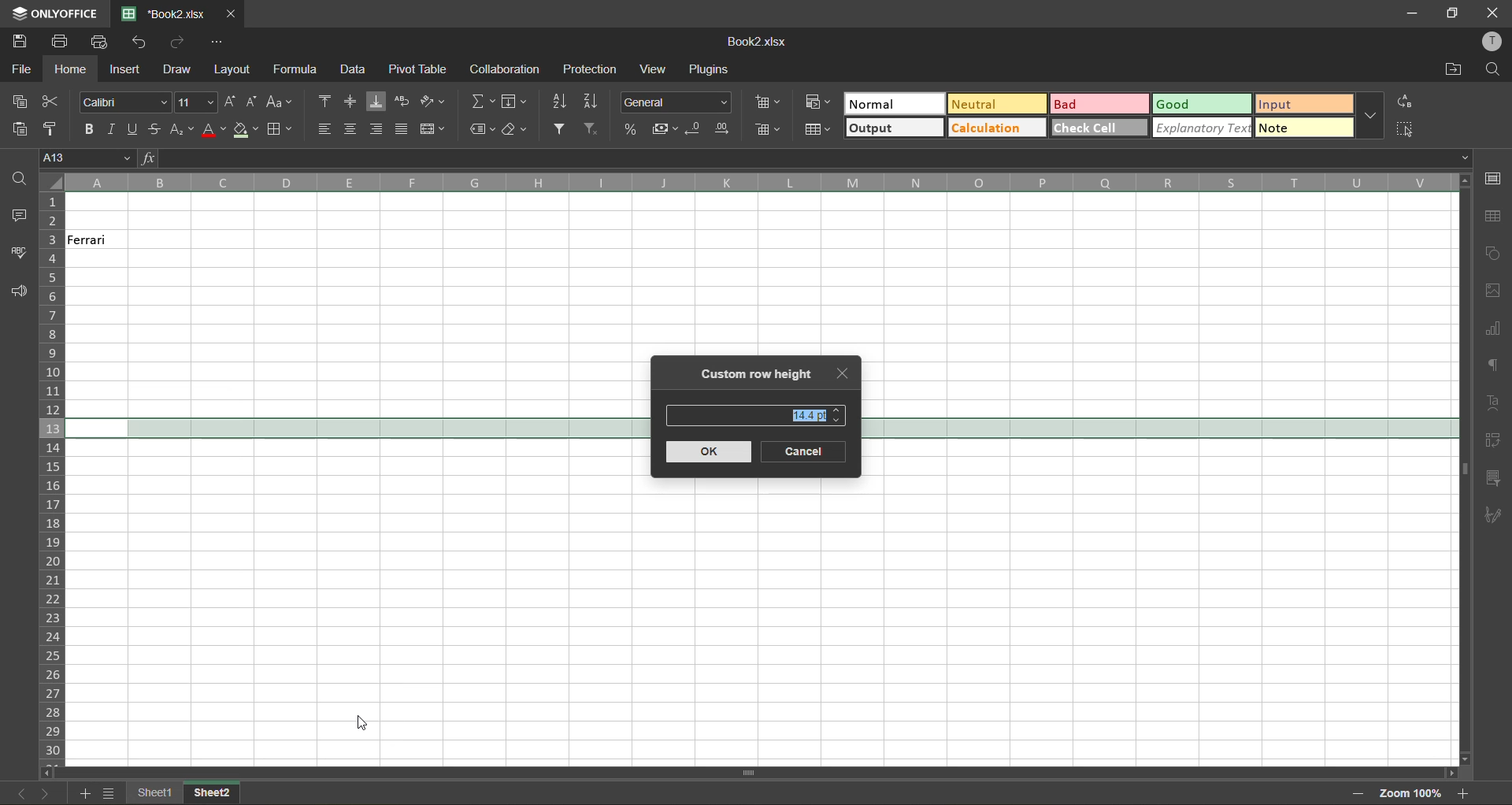 Image resolution: width=1512 pixels, height=805 pixels. I want to click on italic, so click(112, 129).